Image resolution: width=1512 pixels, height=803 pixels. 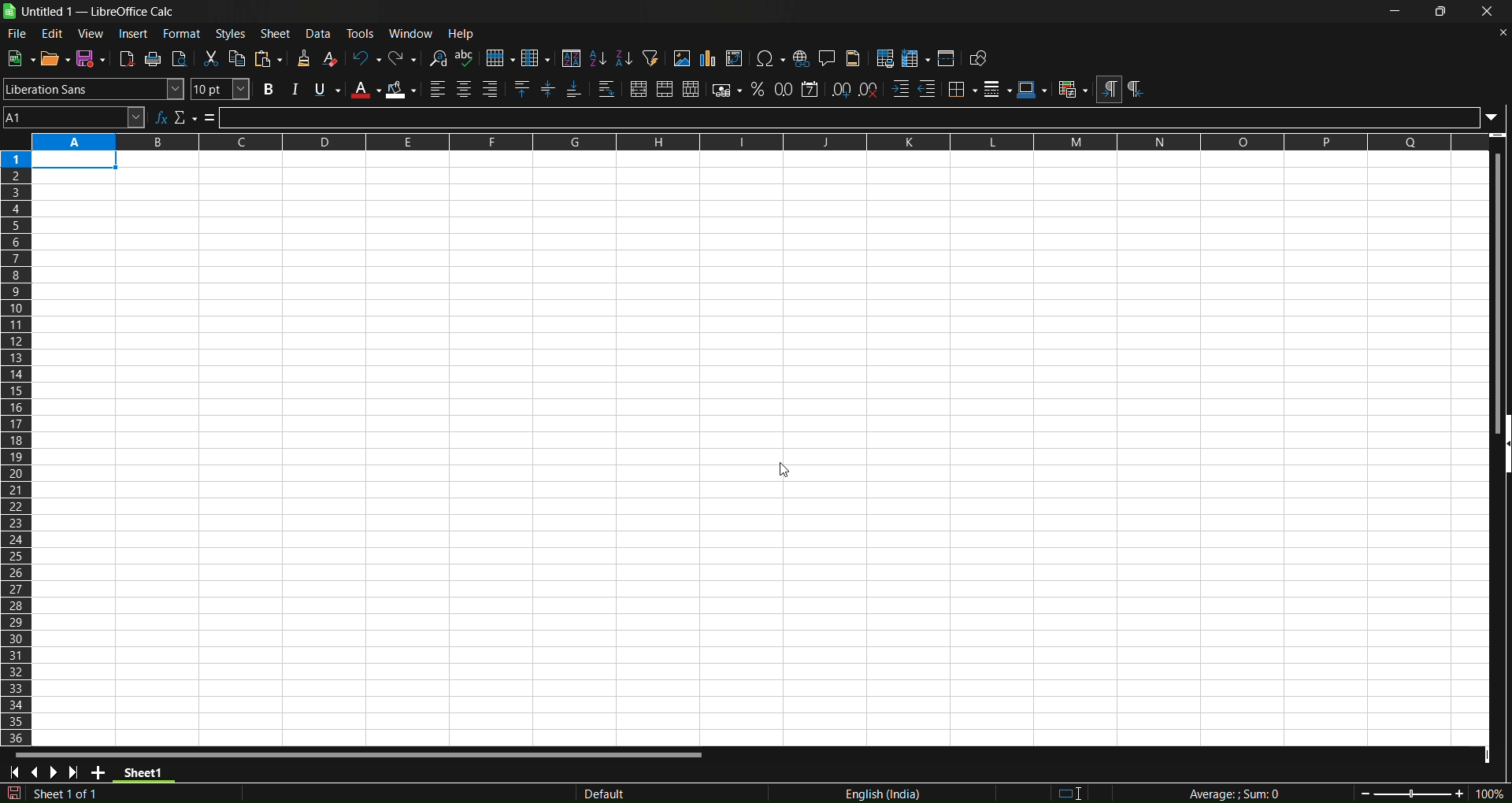 What do you see at coordinates (680, 58) in the screenshot?
I see `insert image` at bounding box center [680, 58].